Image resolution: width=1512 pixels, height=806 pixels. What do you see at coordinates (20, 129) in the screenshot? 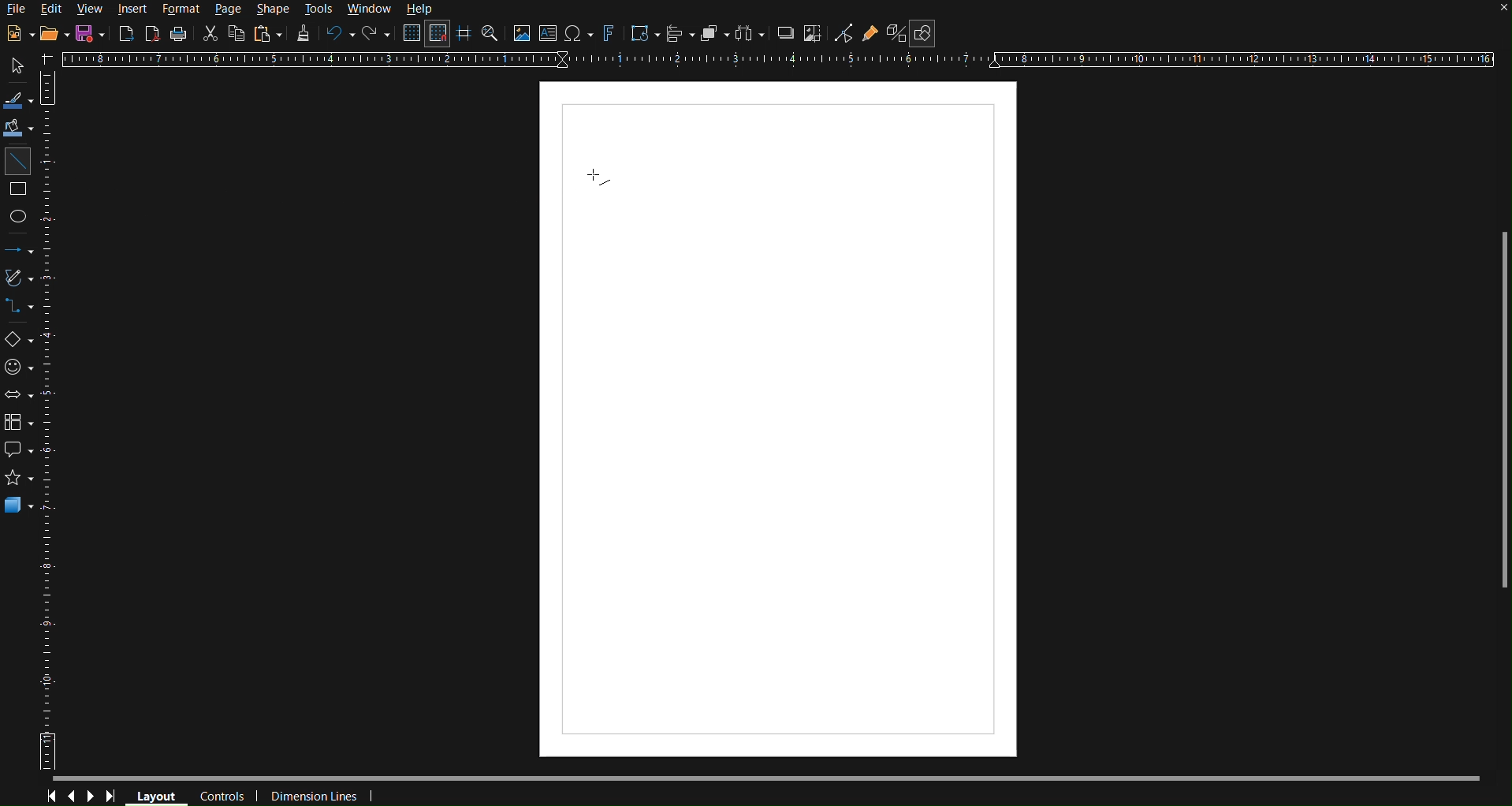
I see `Fill Color` at bounding box center [20, 129].